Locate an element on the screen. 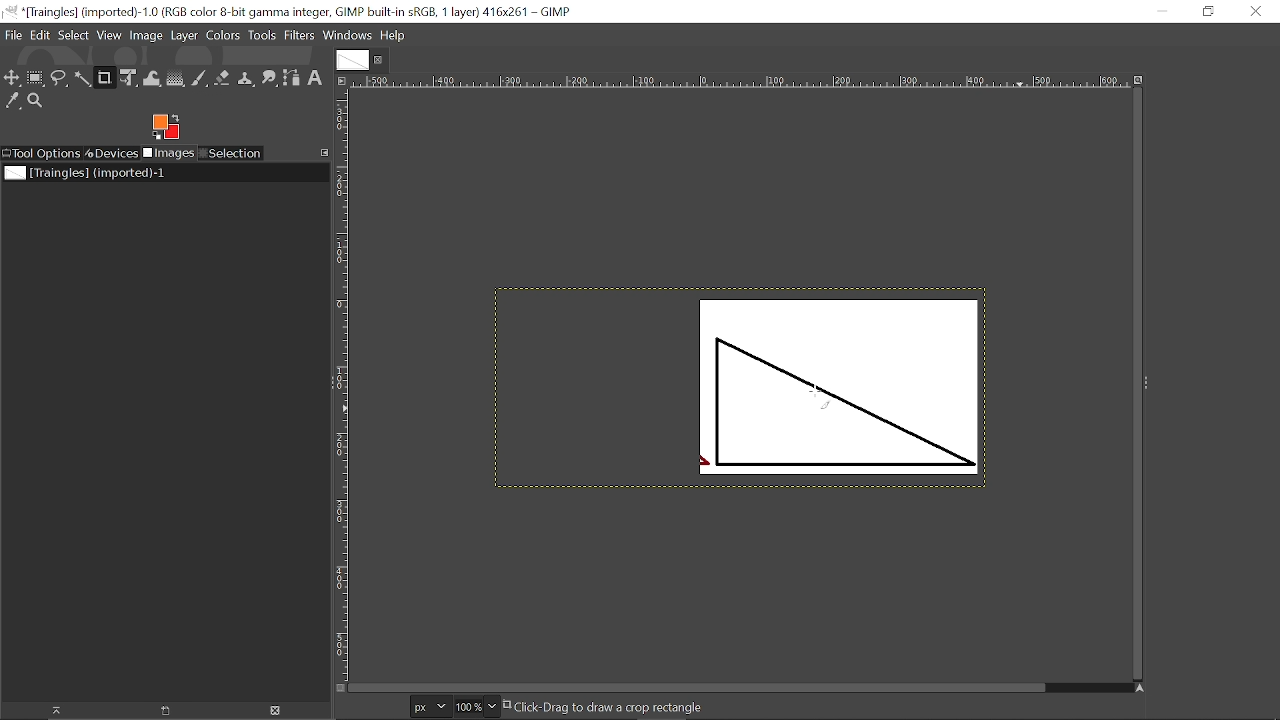 This screenshot has height=720, width=1280. Tool options is located at coordinates (41, 154).